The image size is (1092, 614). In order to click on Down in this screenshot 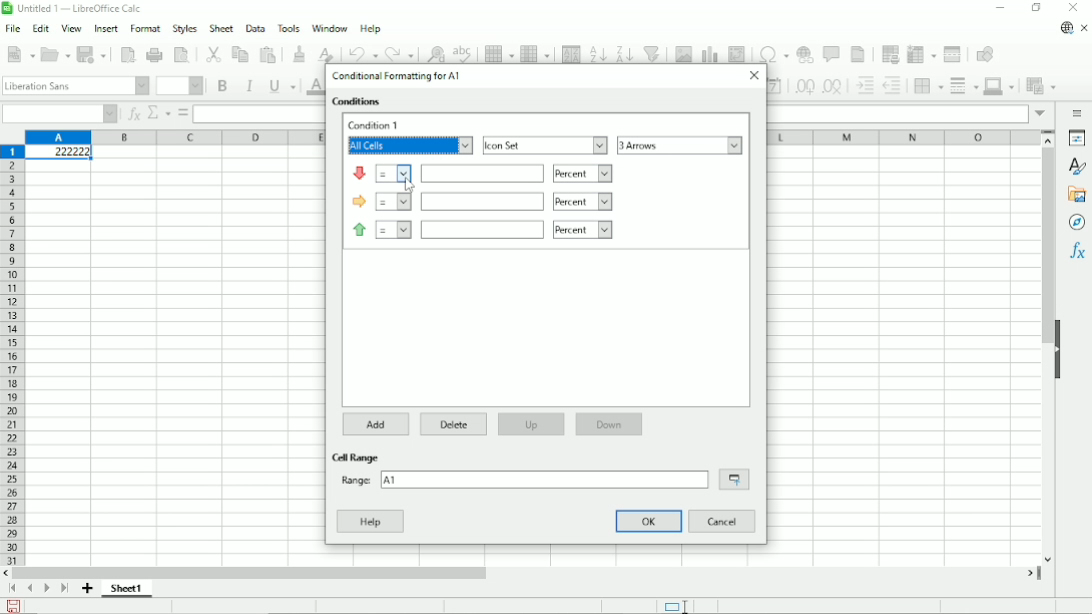, I will do `click(609, 424)`.